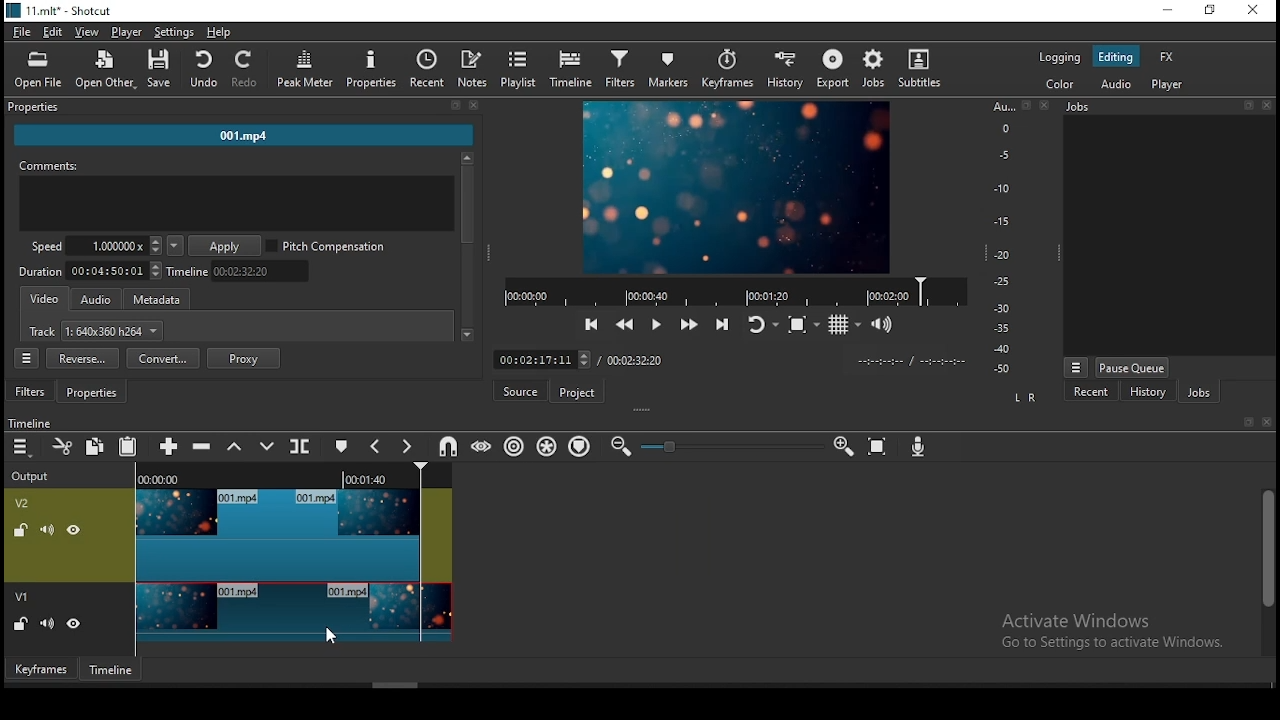 This screenshot has height=720, width=1280. What do you see at coordinates (729, 446) in the screenshot?
I see `Zoom slider` at bounding box center [729, 446].